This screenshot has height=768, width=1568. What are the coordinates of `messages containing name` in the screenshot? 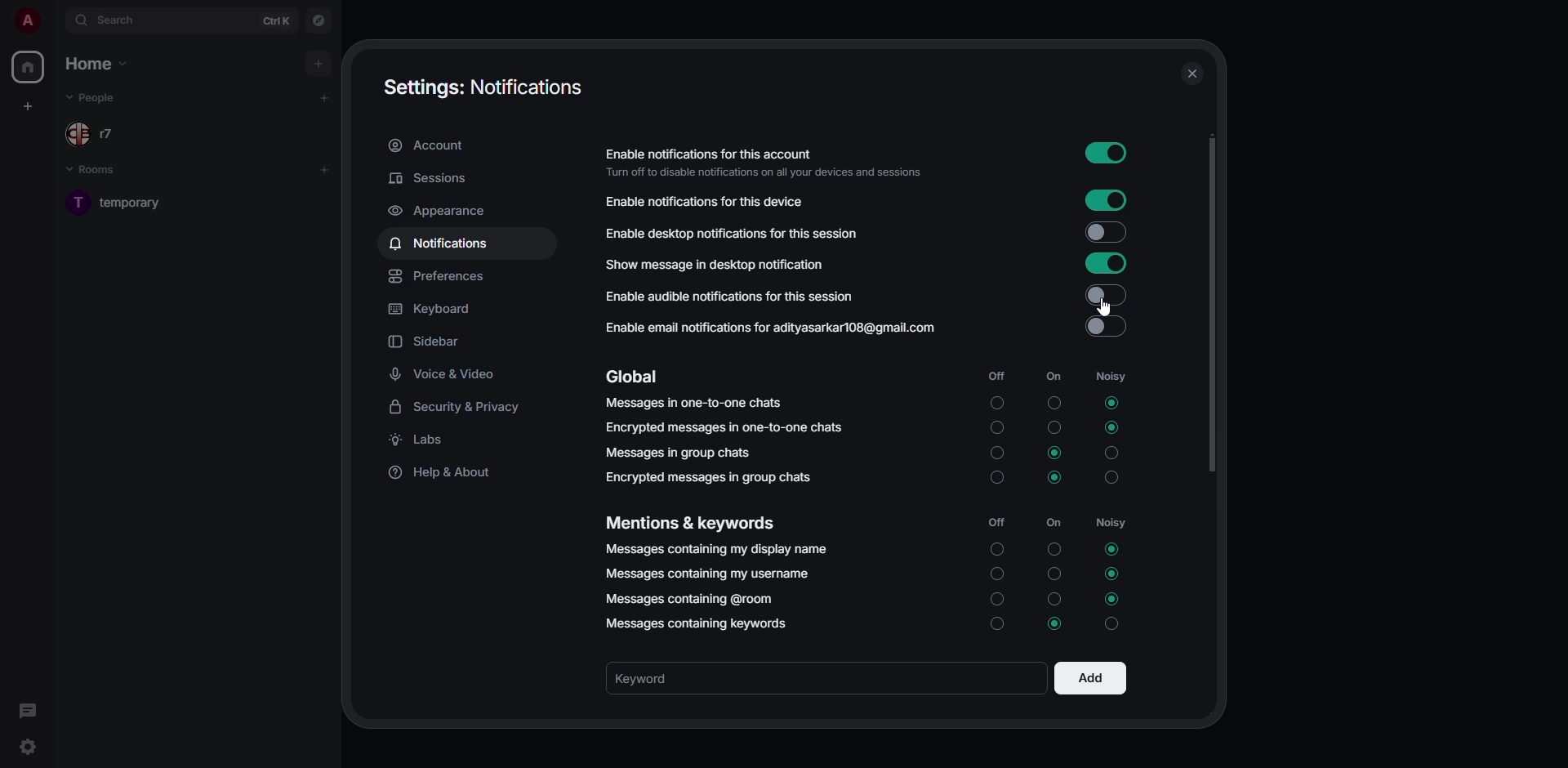 It's located at (717, 551).